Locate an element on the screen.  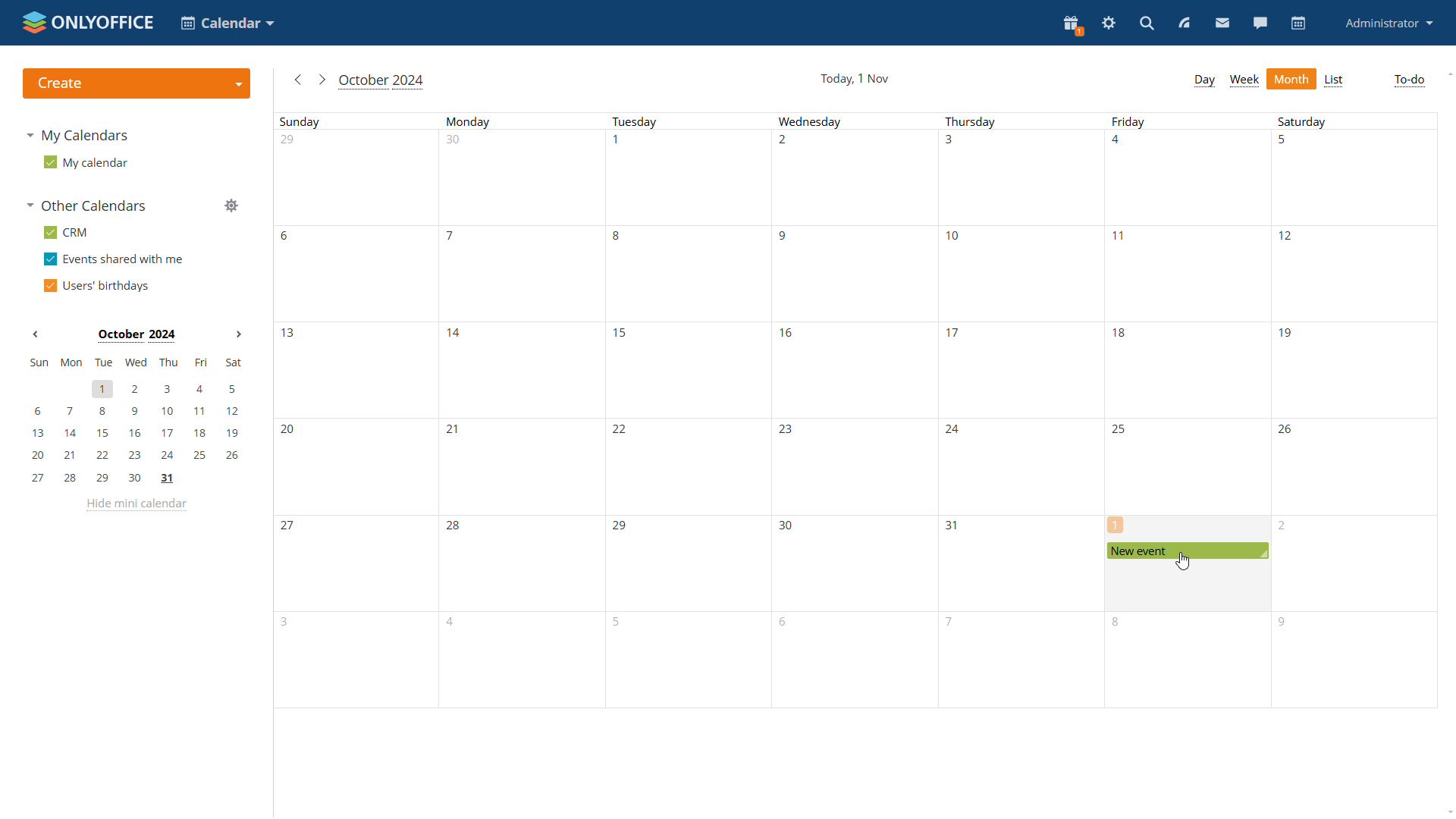
mini calendar is located at coordinates (135, 421).